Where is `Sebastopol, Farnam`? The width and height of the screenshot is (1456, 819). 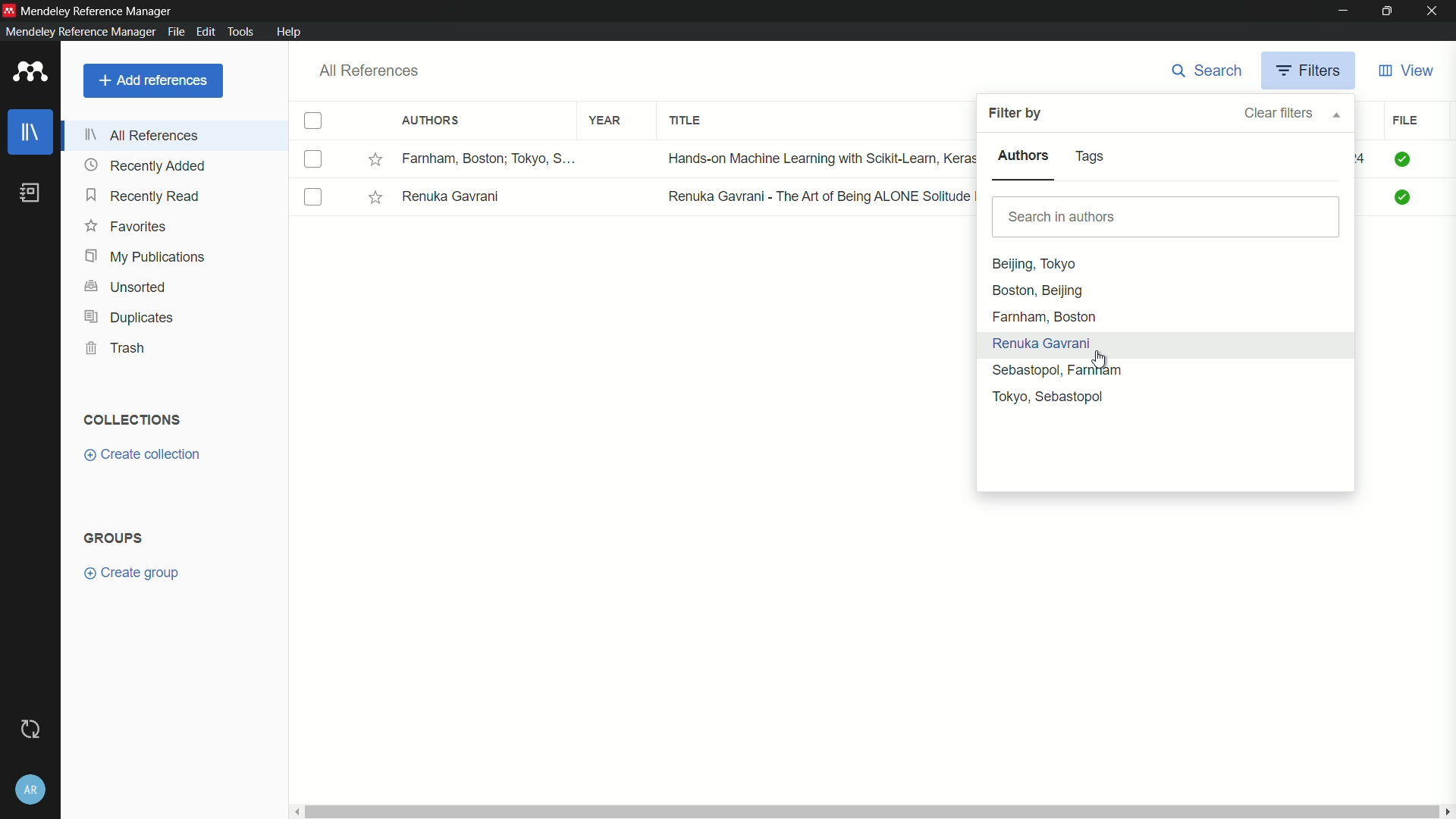 Sebastopol, Farnam is located at coordinates (1058, 372).